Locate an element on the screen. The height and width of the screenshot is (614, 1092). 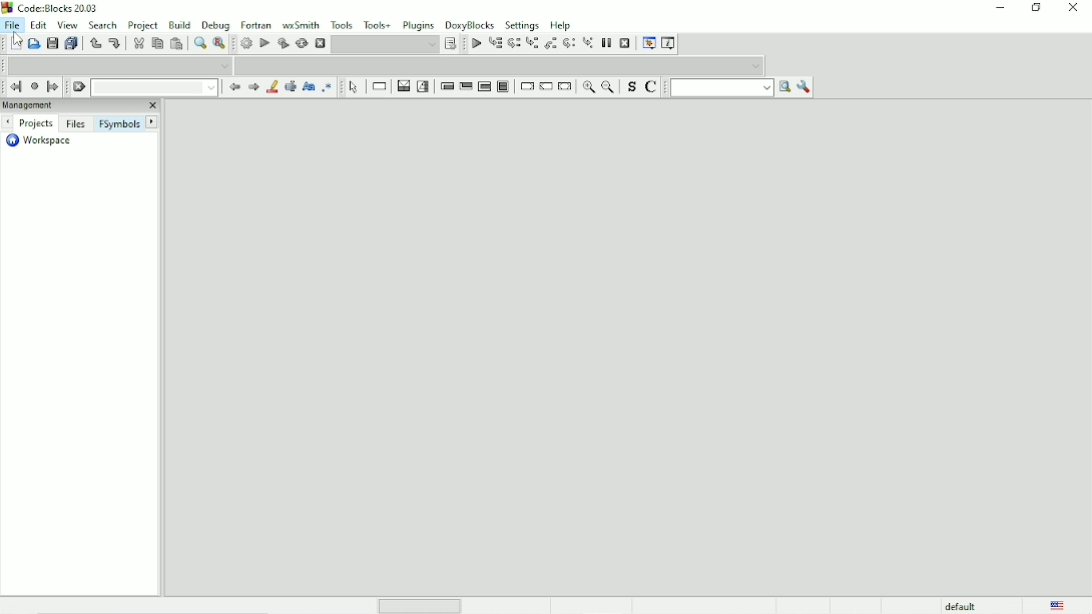
wxSmith is located at coordinates (300, 24).